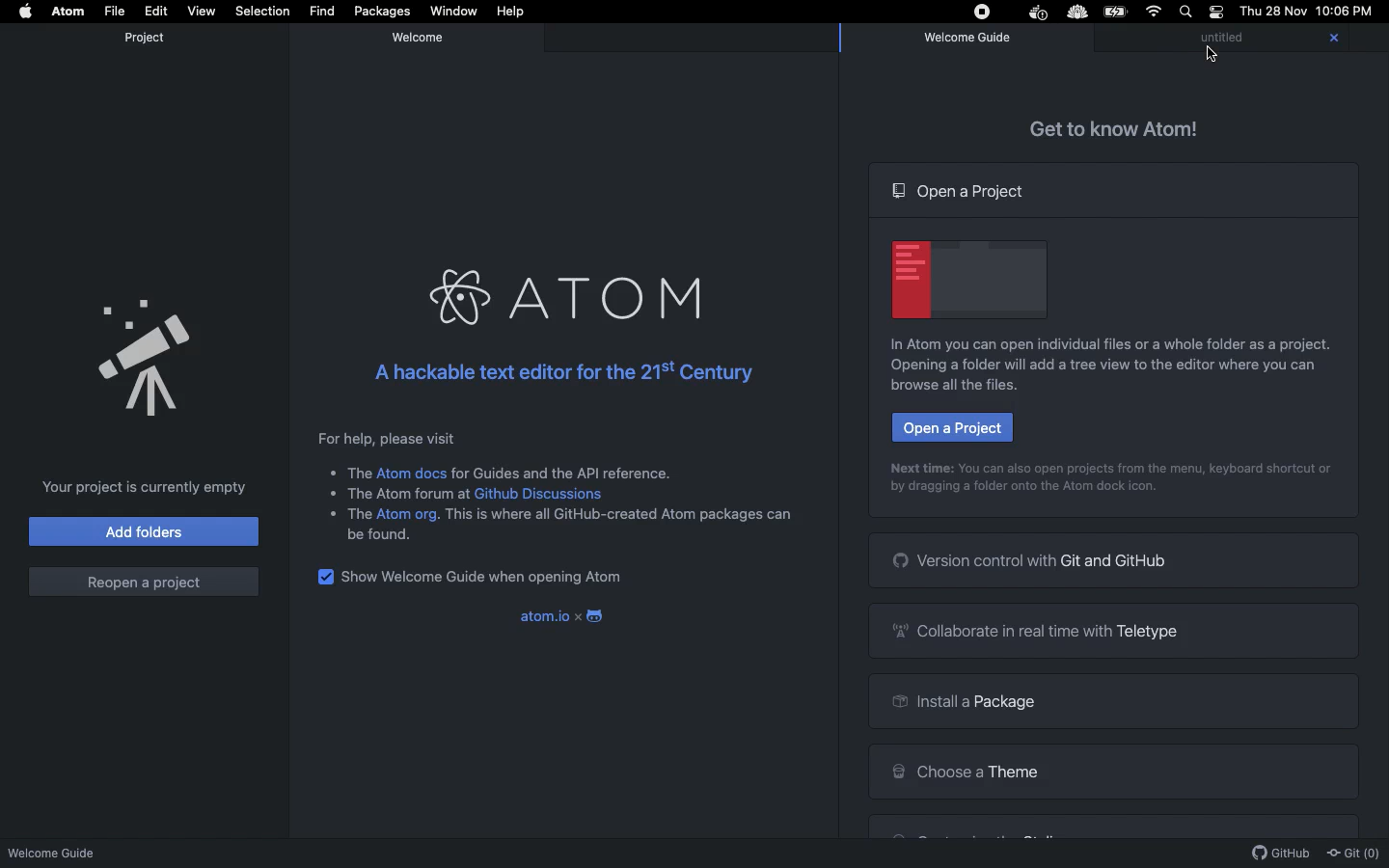 The height and width of the screenshot is (868, 1389). What do you see at coordinates (1239, 40) in the screenshot?
I see `Untitled` at bounding box center [1239, 40].